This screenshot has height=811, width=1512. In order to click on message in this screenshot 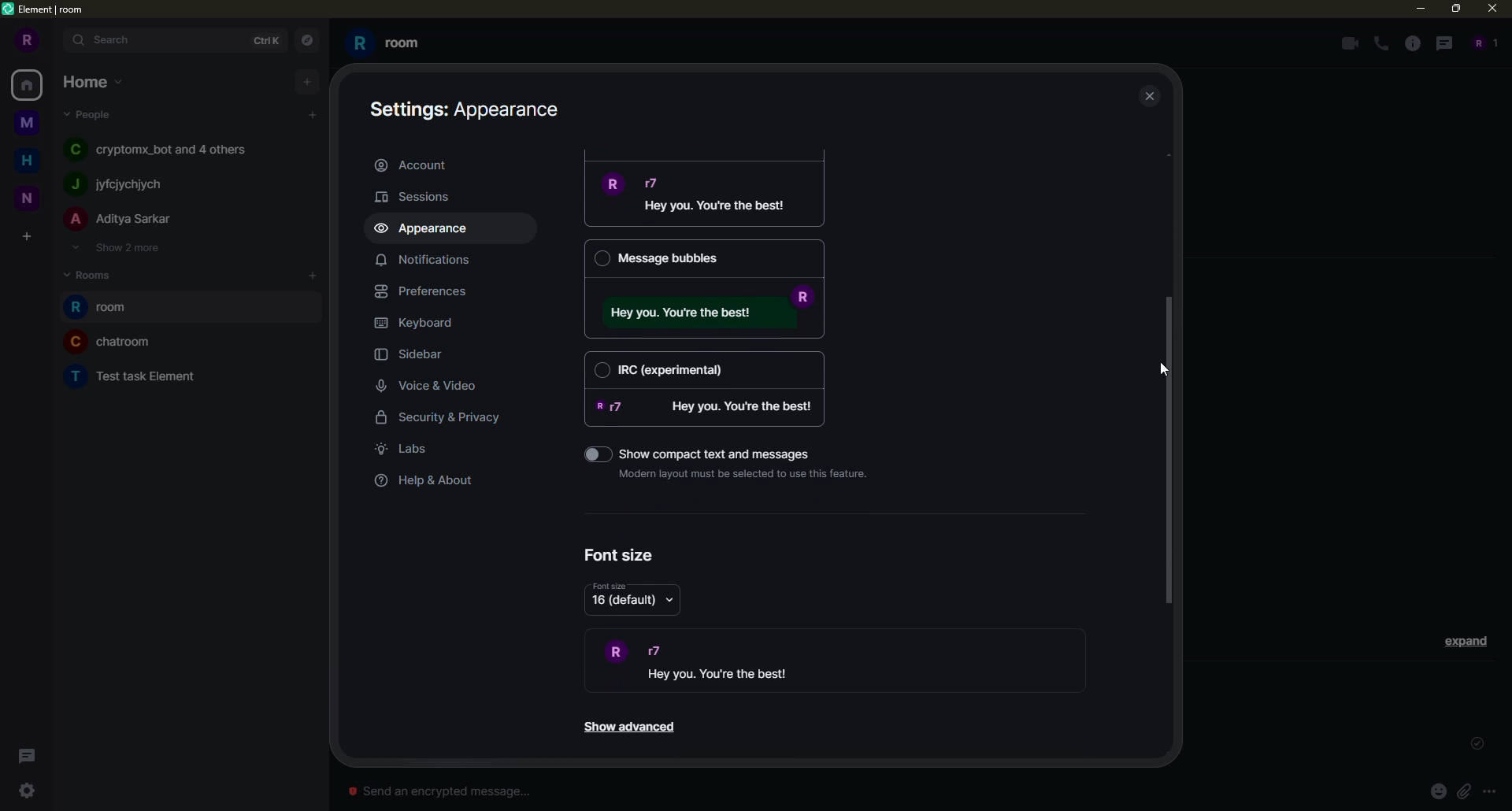, I will do `click(710, 404)`.